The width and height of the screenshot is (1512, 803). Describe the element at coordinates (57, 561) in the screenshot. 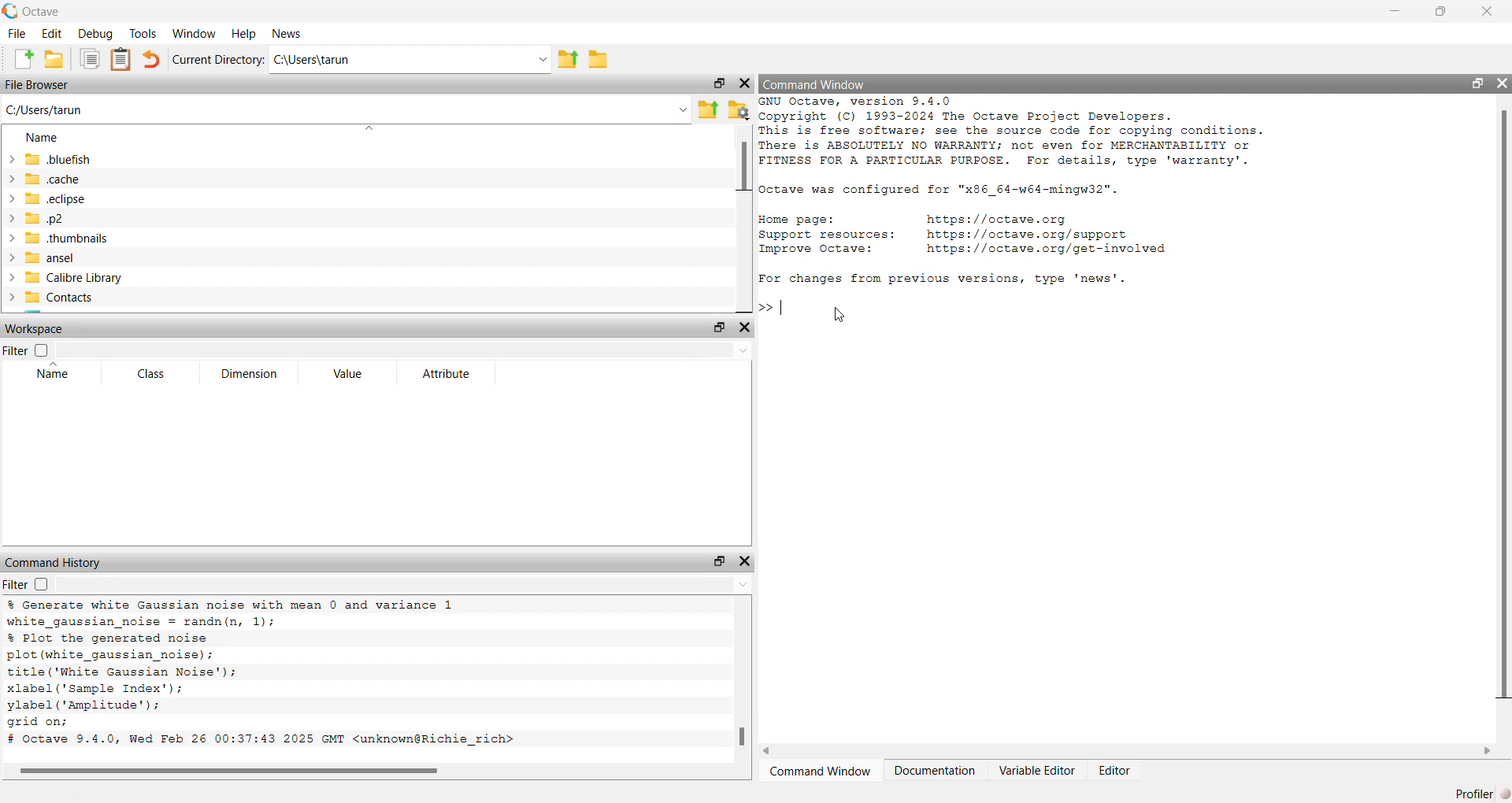

I see `Command History` at that location.